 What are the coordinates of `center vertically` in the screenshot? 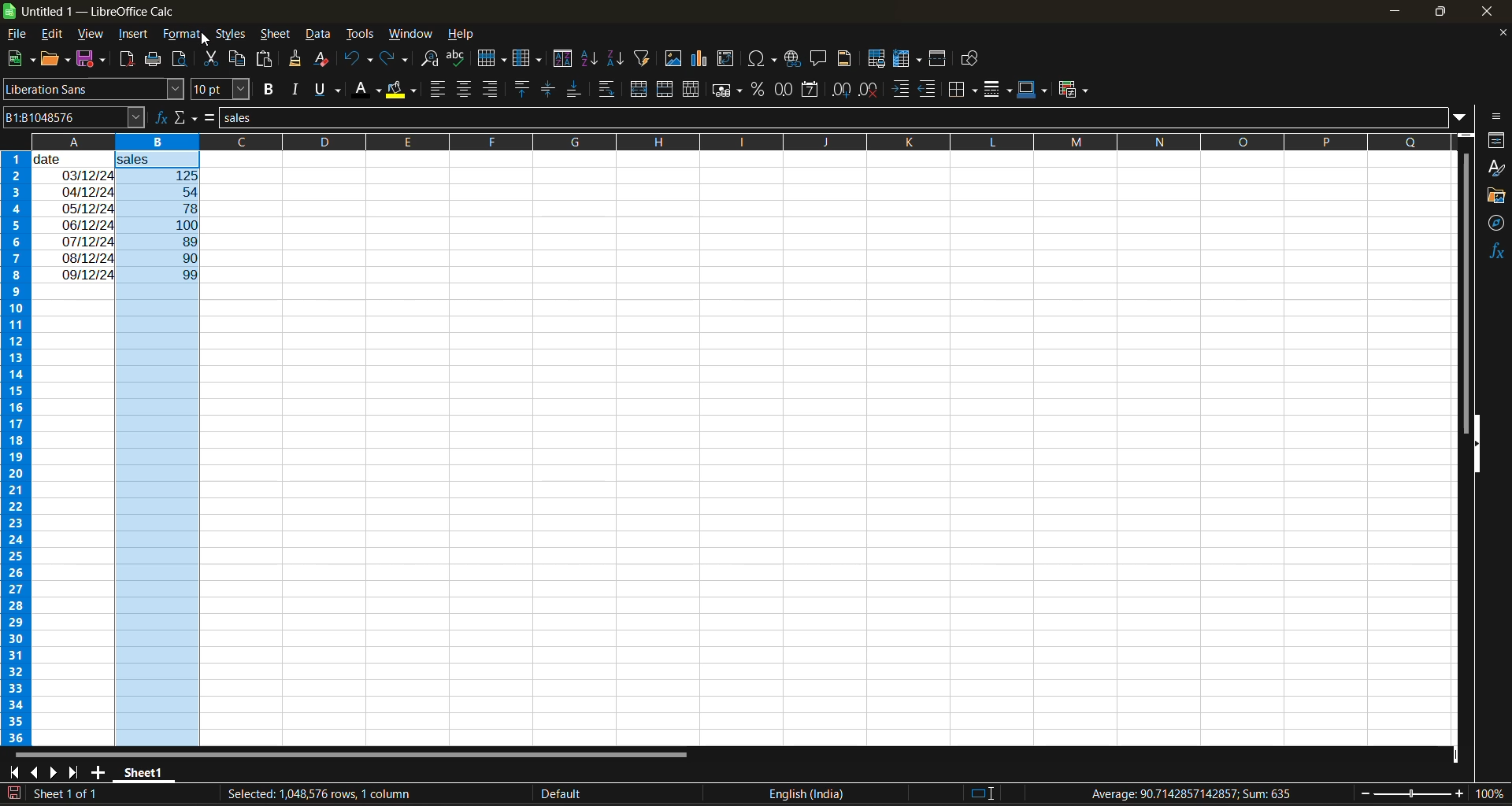 It's located at (548, 90).